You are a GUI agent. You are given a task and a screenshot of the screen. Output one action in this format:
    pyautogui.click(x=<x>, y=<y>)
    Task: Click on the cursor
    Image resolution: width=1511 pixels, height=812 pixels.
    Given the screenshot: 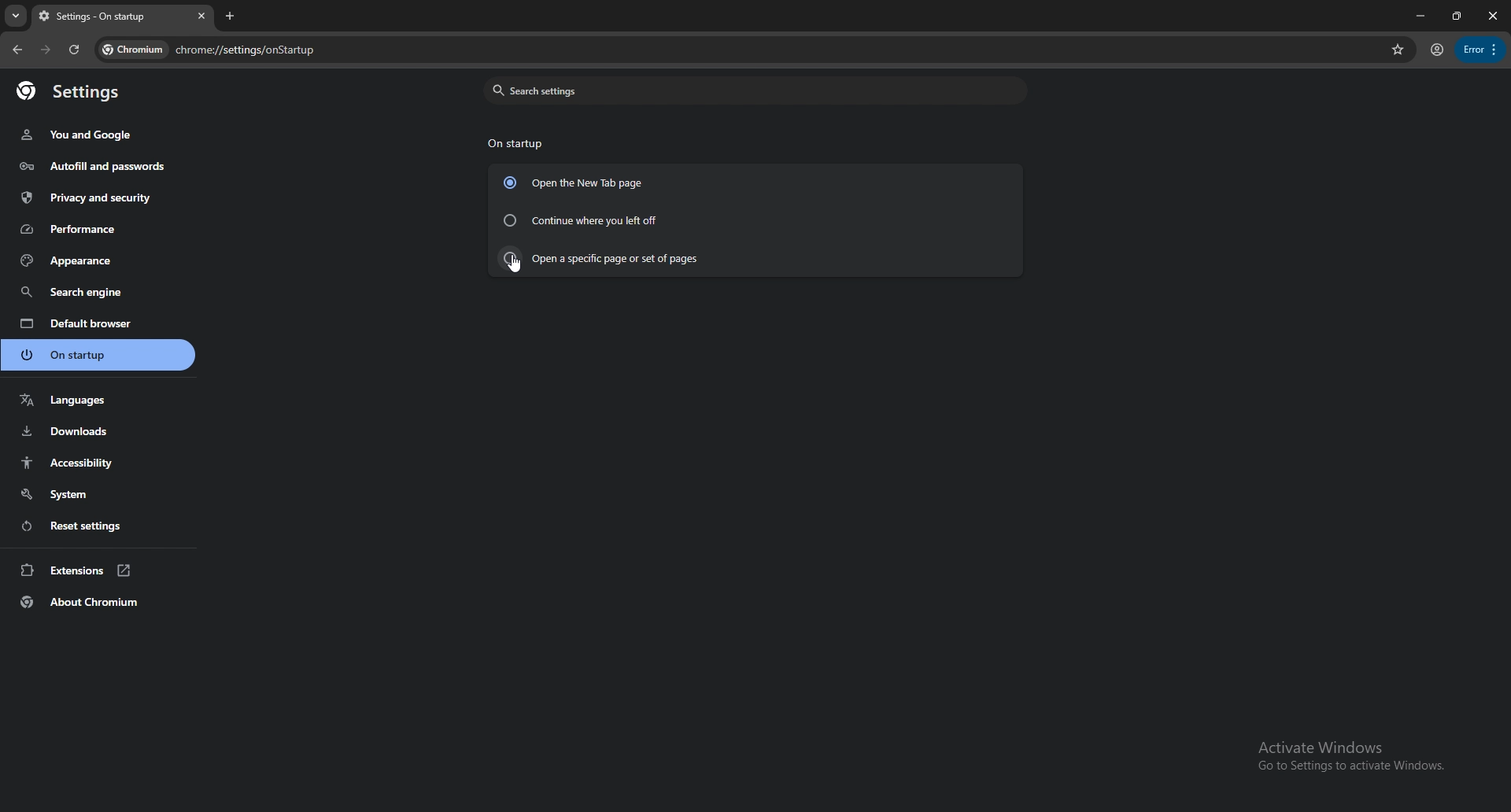 What is the action you would take?
    pyautogui.click(x=513, y=266)
    